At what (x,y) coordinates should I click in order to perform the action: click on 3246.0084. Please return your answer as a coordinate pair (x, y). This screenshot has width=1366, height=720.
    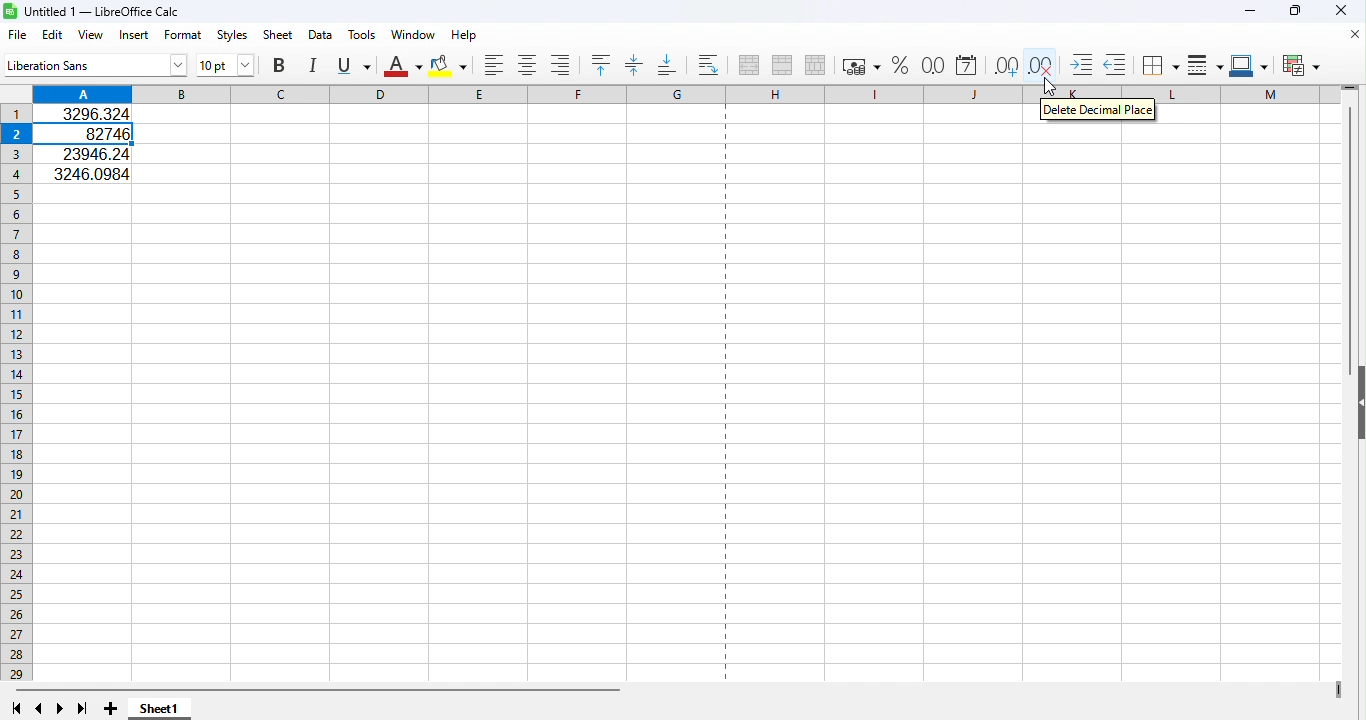
    Looking at the image, I should click on (91, 172).